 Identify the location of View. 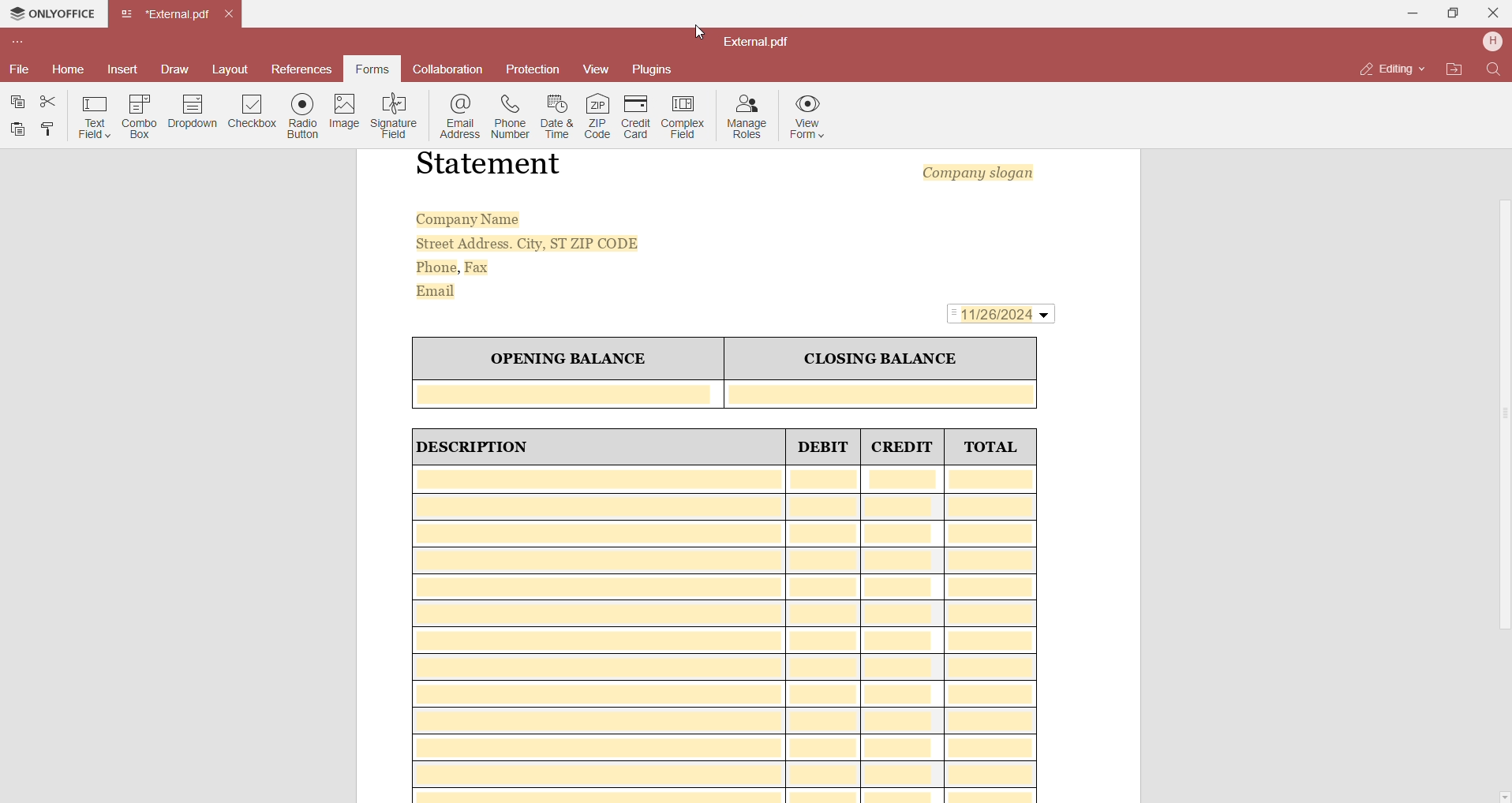
(595, 69).